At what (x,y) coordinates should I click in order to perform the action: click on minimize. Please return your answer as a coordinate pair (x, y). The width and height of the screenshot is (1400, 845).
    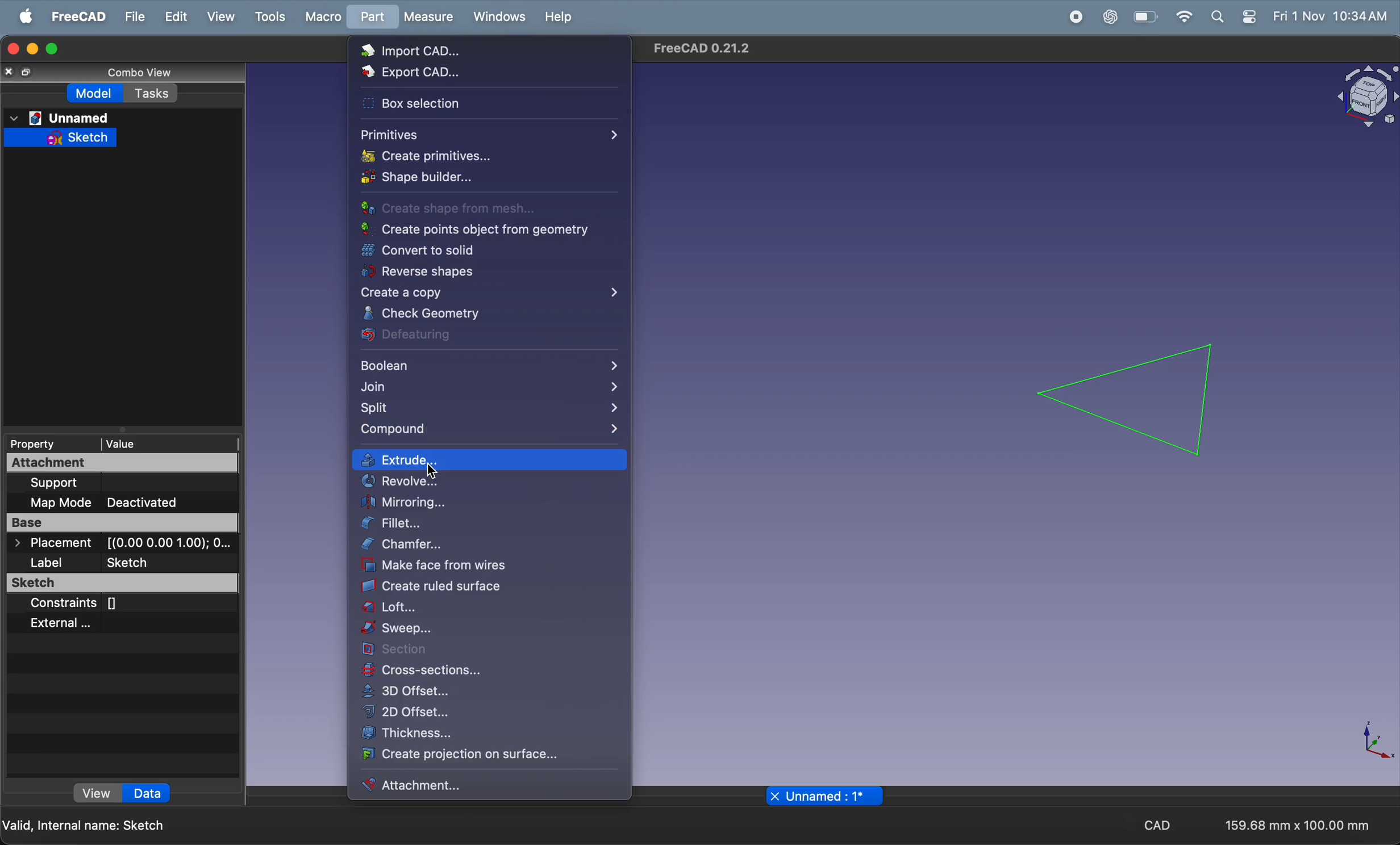
    Looking at the image, I should click on (32, 49).